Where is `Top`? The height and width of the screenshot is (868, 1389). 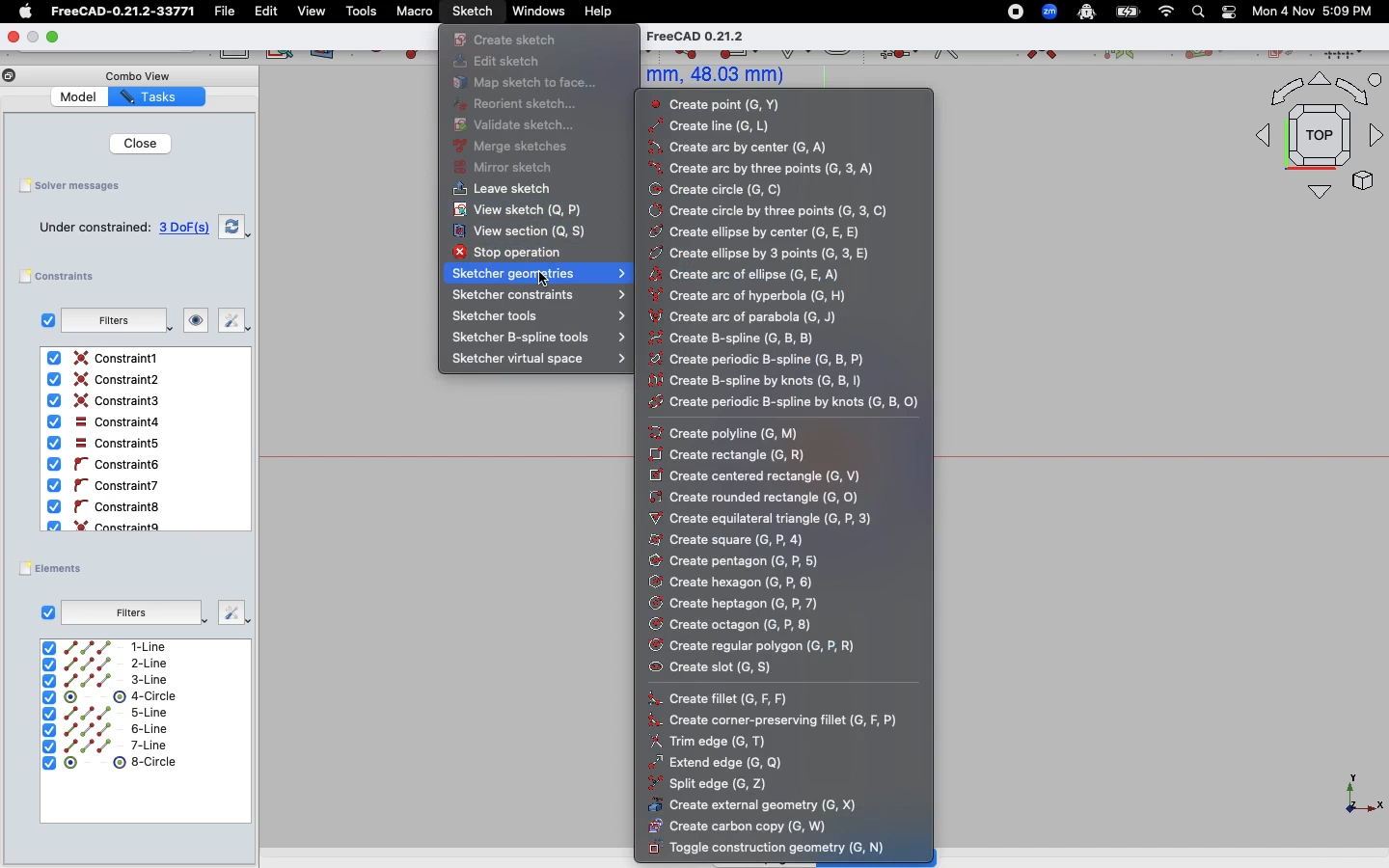
Top is located at coordinates (1310, 140).